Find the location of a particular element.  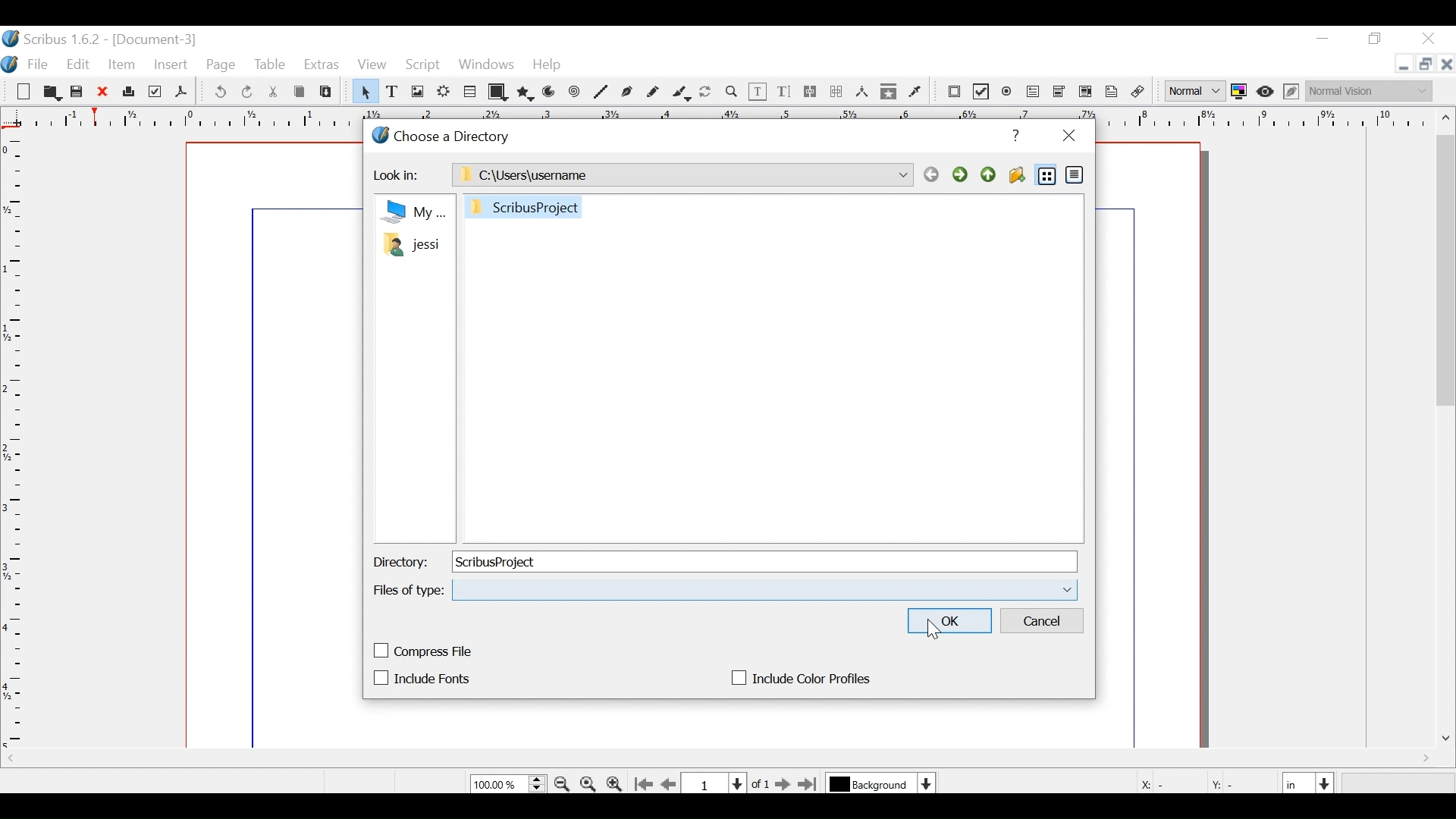

Measurements is located at coordinates (861, 92).